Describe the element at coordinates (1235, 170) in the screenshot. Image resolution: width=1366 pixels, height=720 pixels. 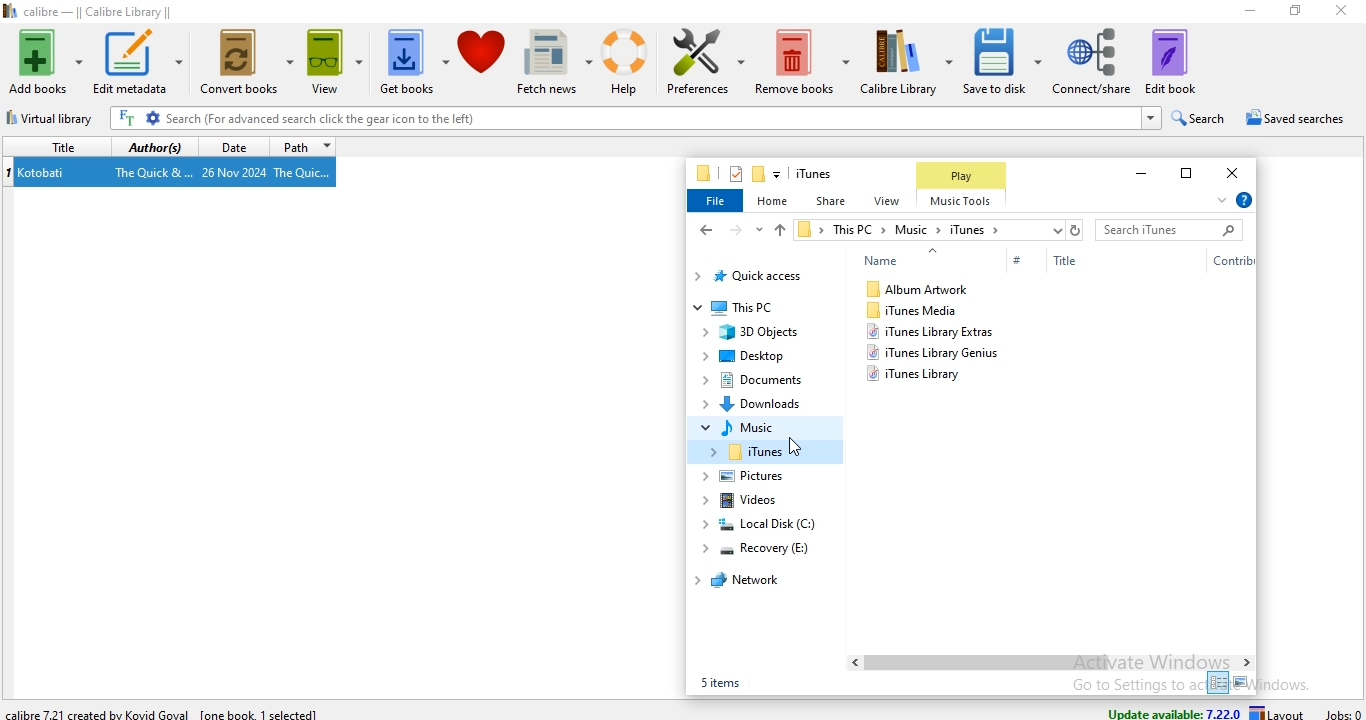
I see `close` at that location.